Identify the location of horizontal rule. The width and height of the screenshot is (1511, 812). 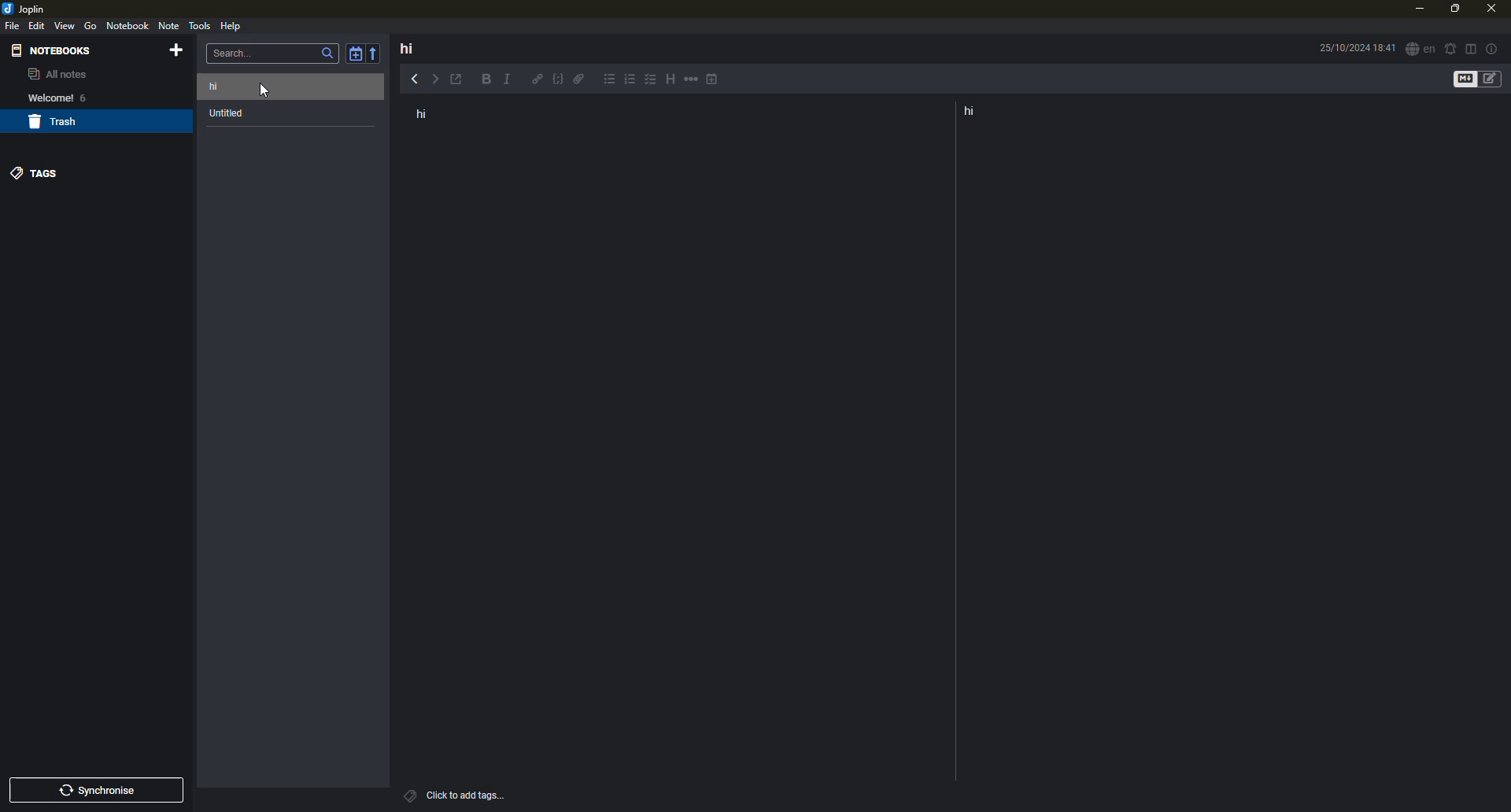
(690, 81).